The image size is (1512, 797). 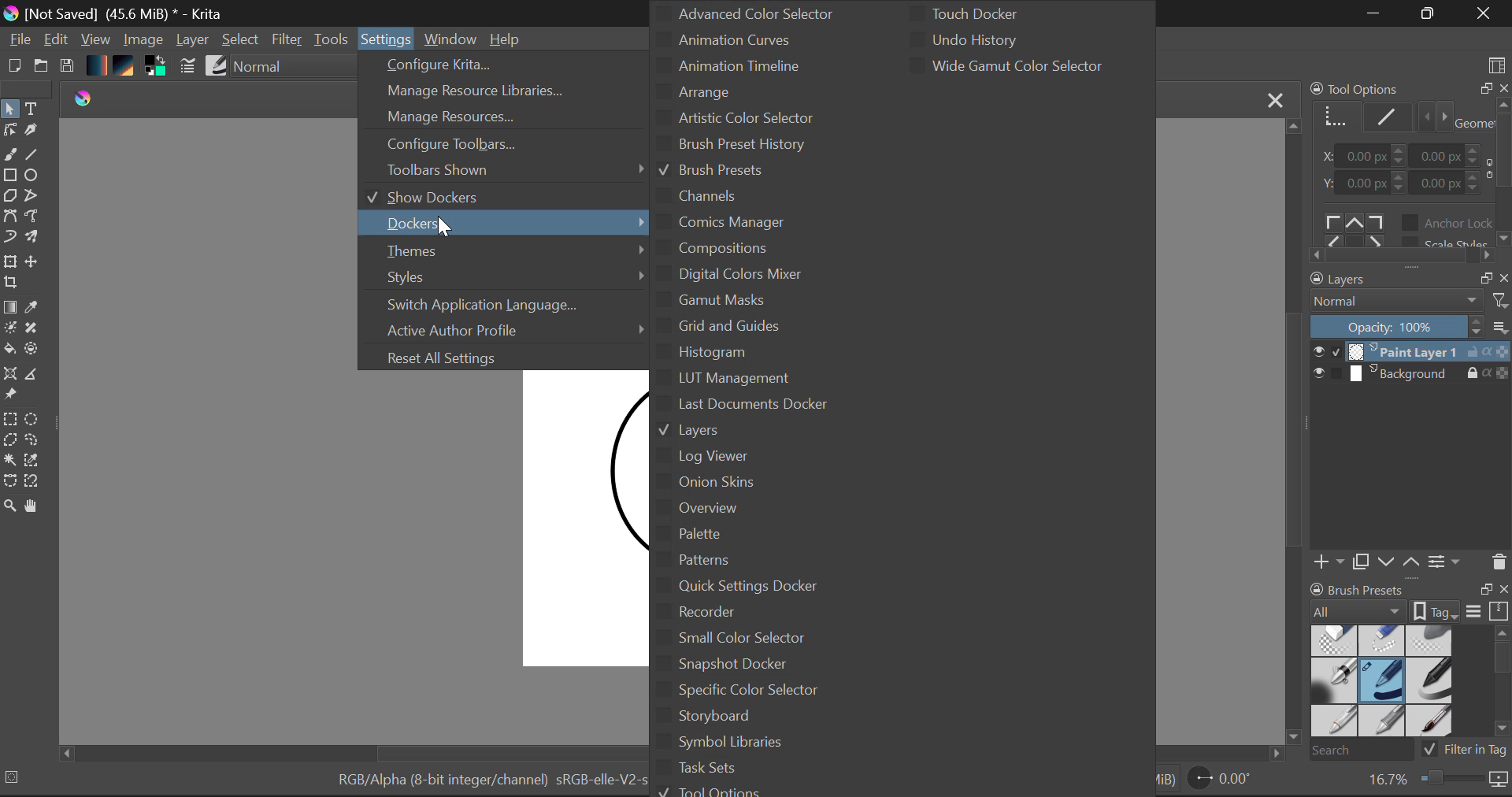 What do you see at coordinates (34, 328) in the screenshot?
I see `Smart Patch Tool` at bounding box center [34, 328].